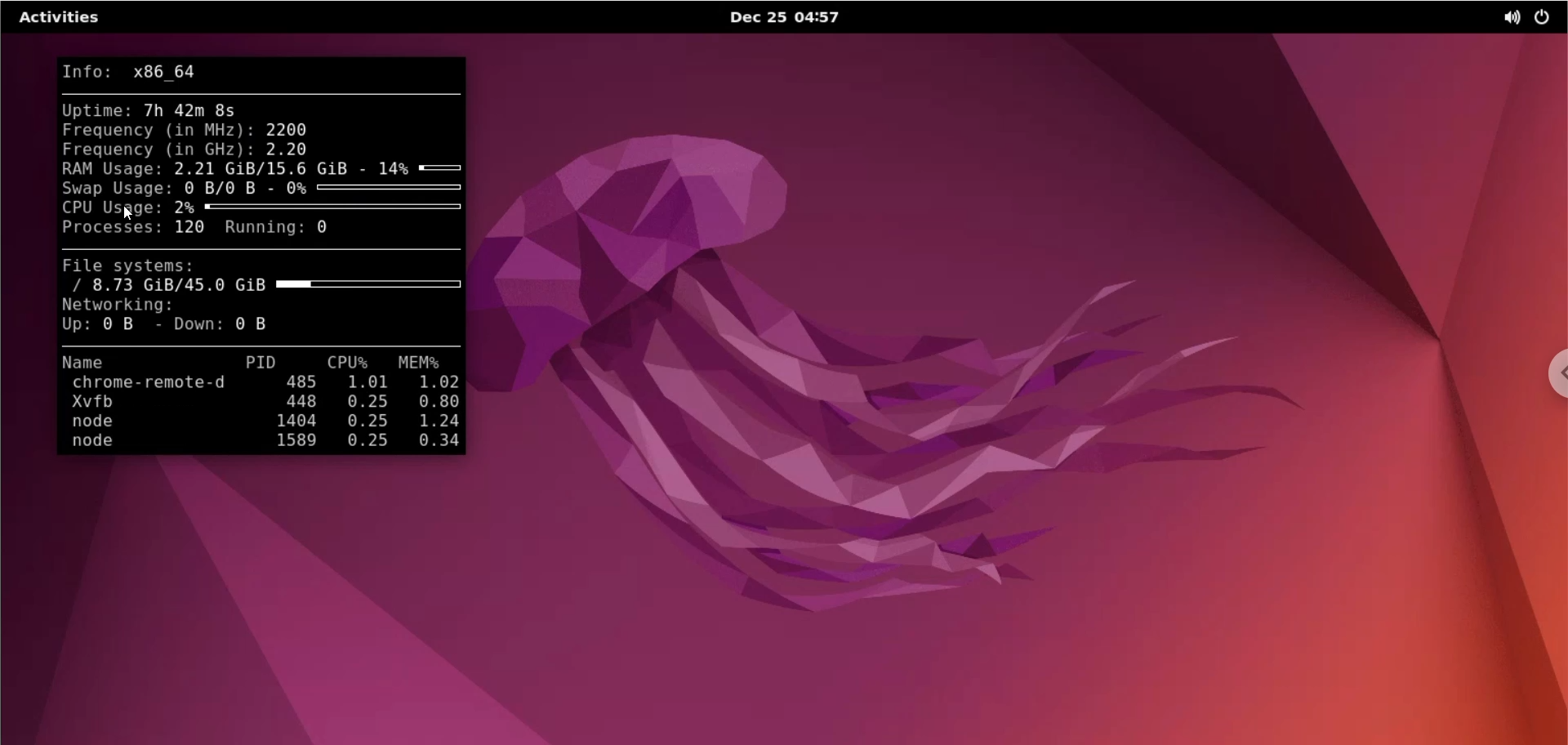 The image size is (1568, 745). I want to click on frequency (in GHz), so click(155, 149).